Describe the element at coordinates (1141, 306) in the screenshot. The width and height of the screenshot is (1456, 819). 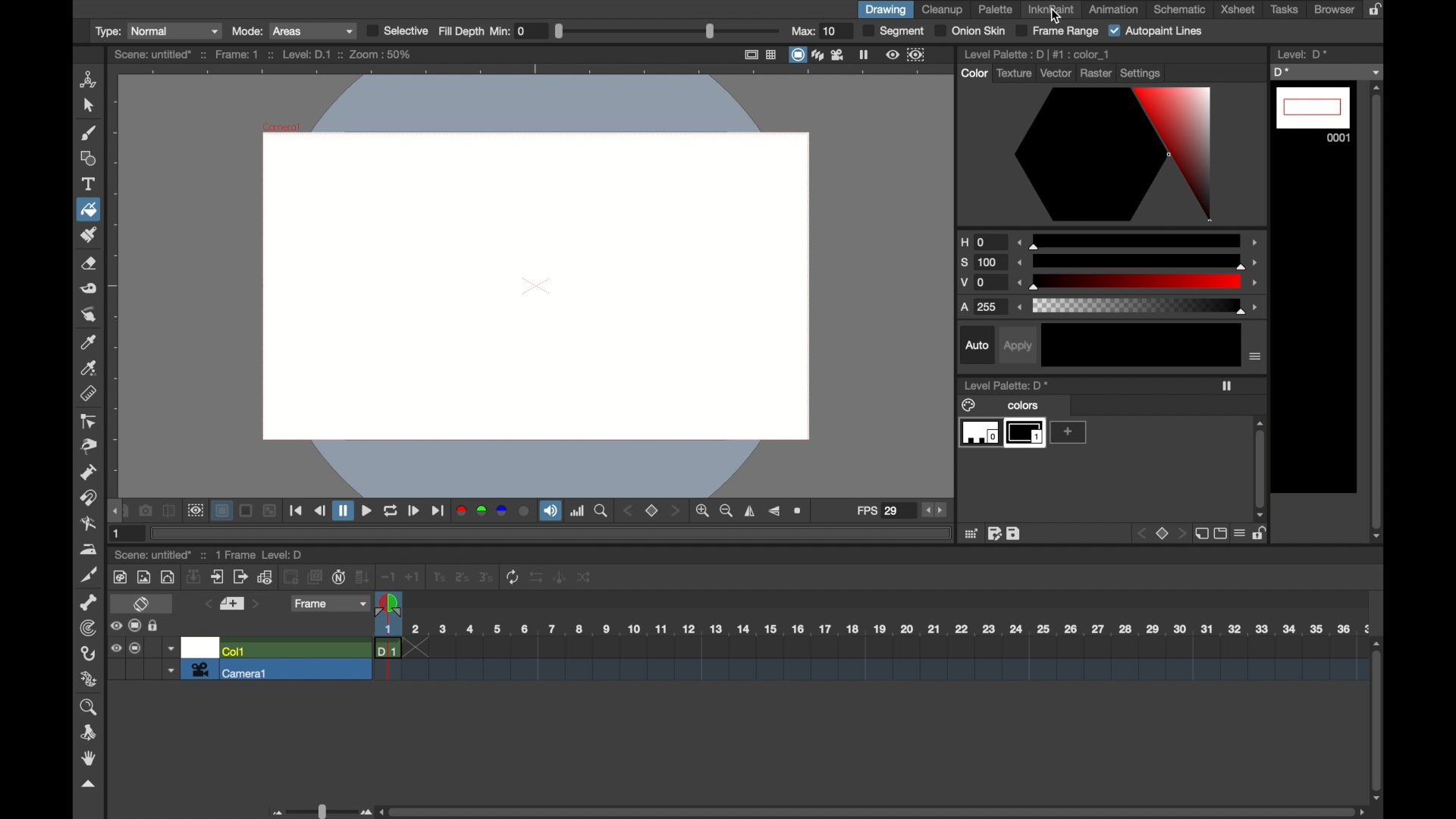
I see `scale` at that location.